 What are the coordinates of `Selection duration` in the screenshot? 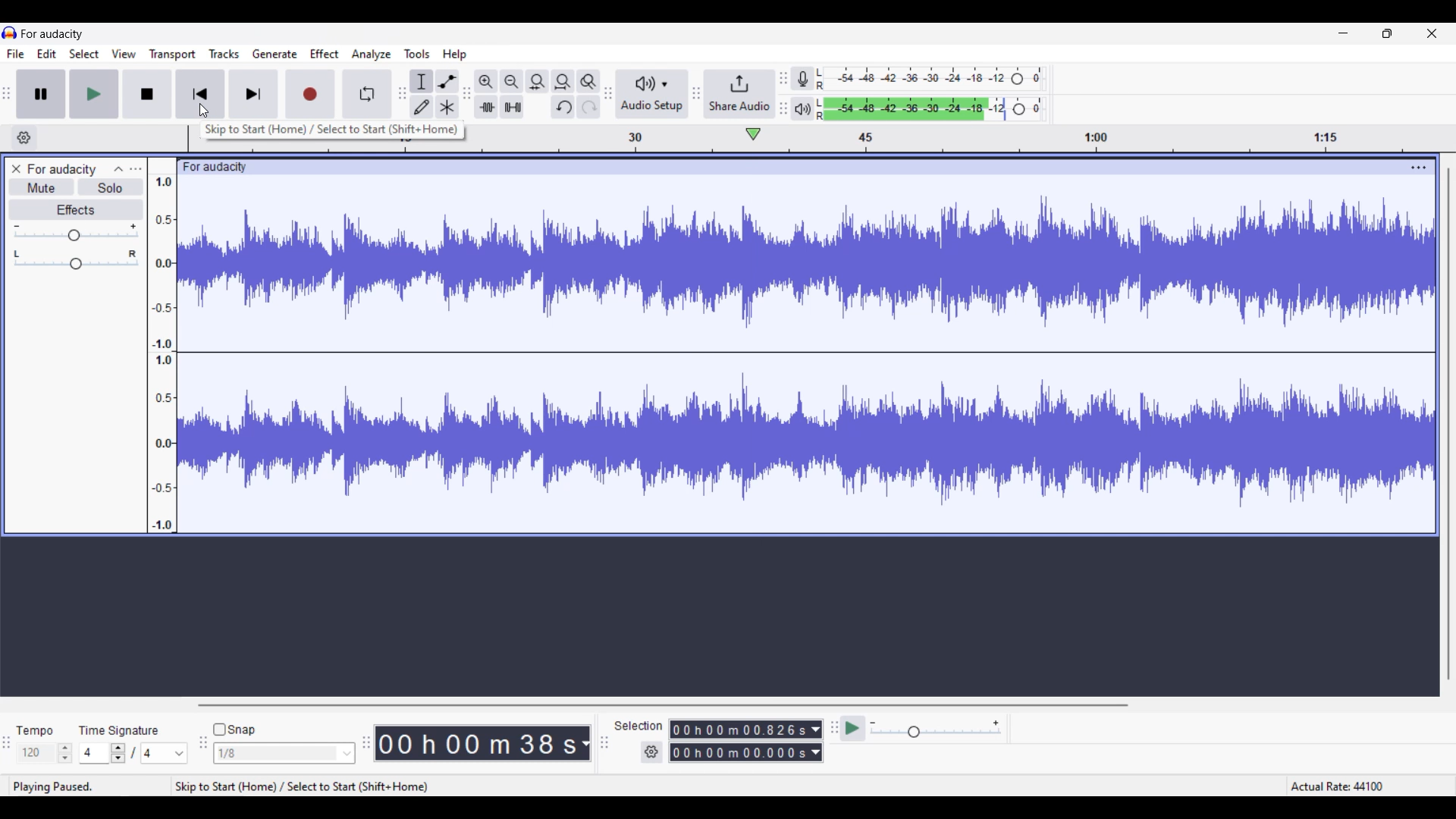 It's located at (739, 741).